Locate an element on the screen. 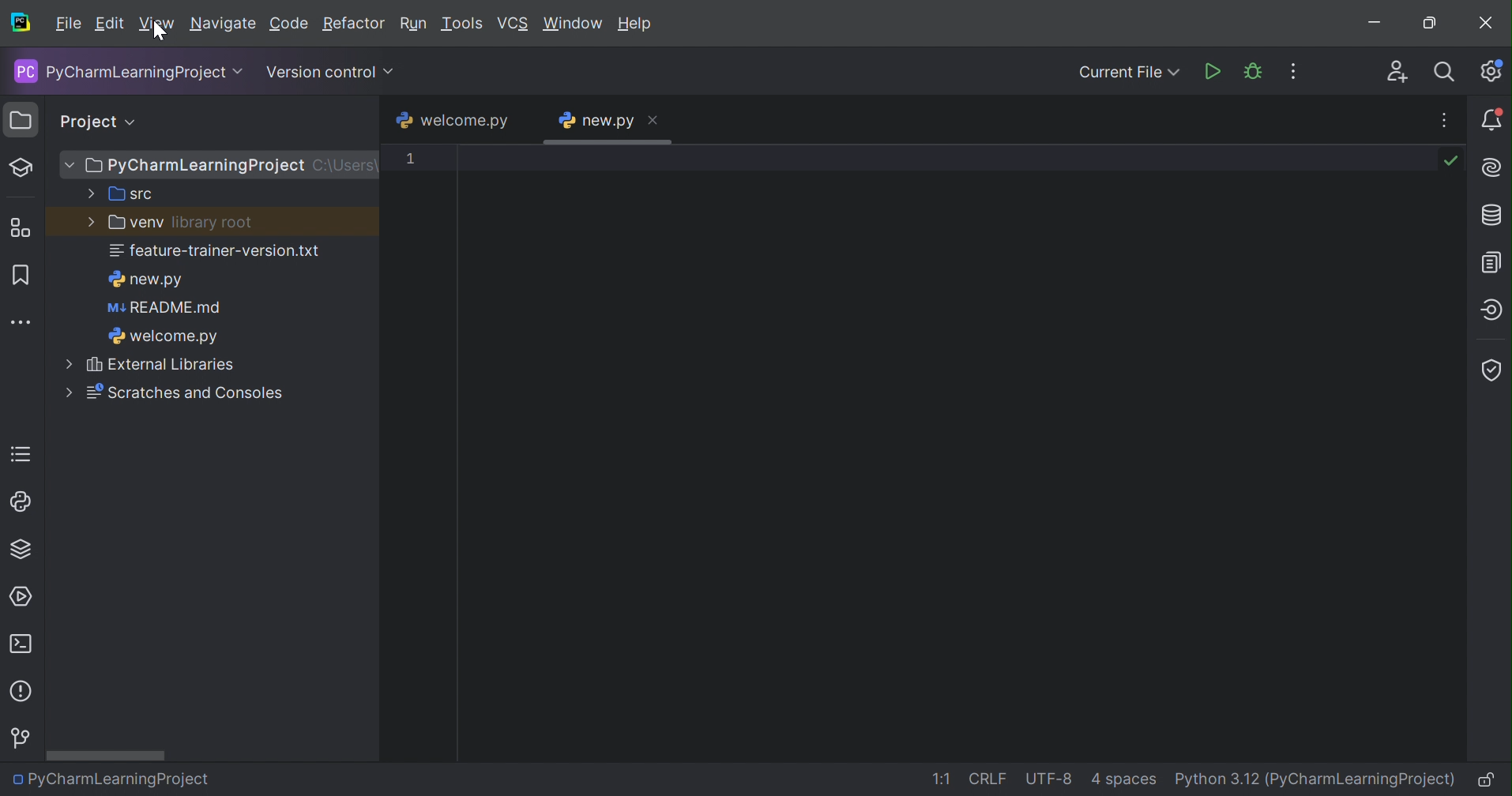  More Actions is located at coordinates (1292, 71).